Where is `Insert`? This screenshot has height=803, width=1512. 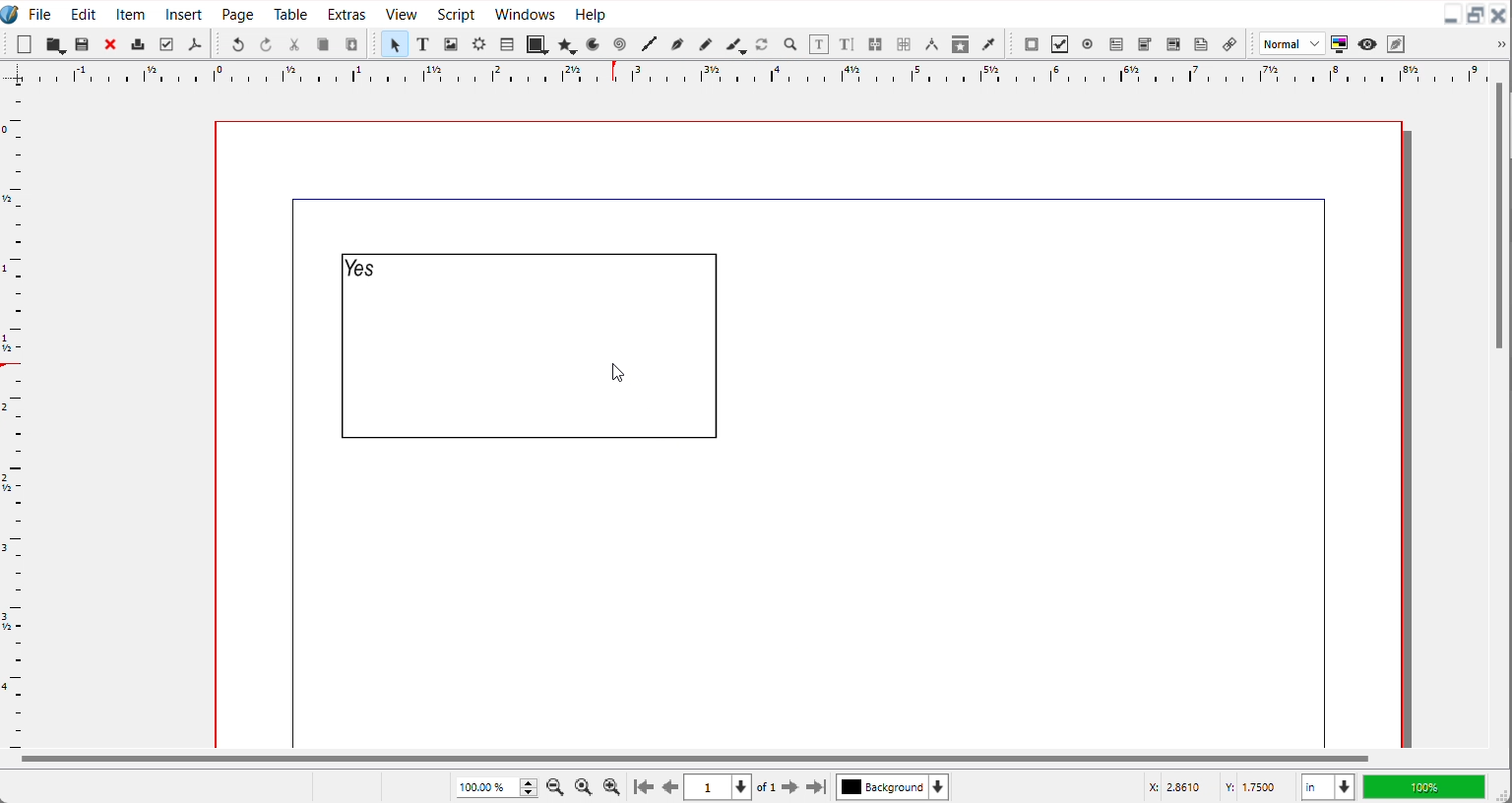 Insert is located at coordinates (185, 13).